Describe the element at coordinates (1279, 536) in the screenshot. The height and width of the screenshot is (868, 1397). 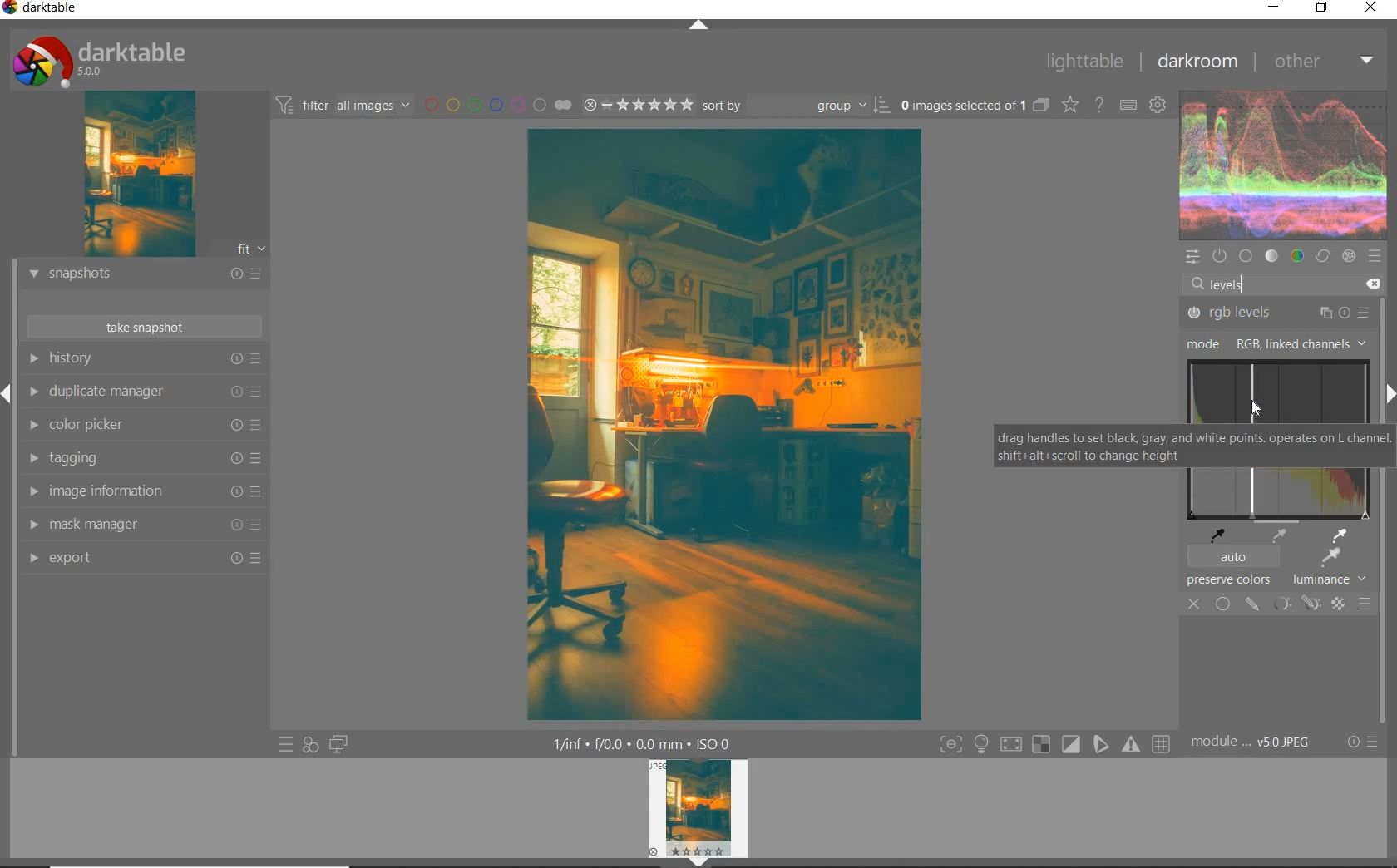
I see `pick medium gray point from image` at that location.